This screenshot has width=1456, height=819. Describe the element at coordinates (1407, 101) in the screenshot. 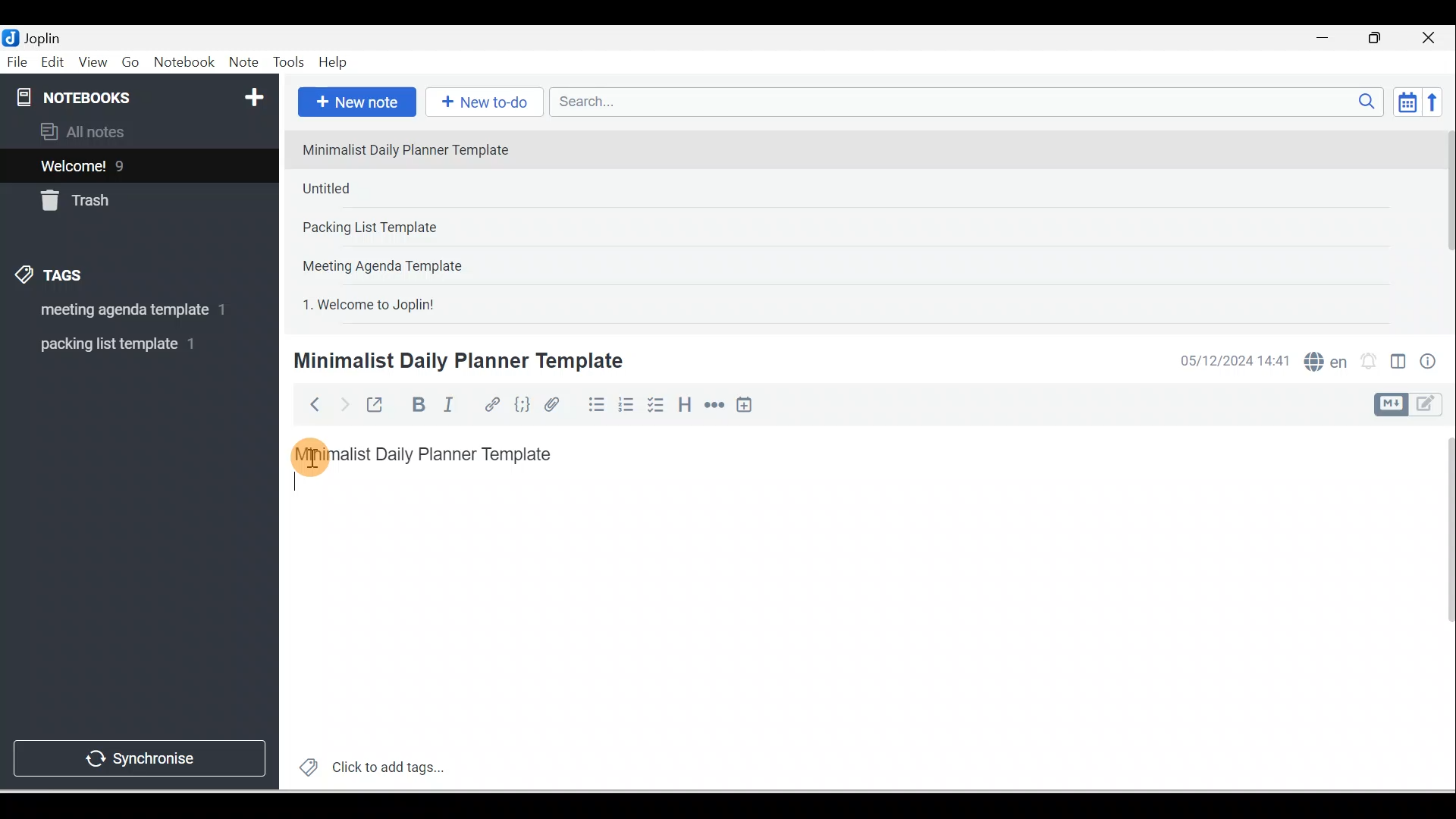

I see `Toggle sort order` at that location.